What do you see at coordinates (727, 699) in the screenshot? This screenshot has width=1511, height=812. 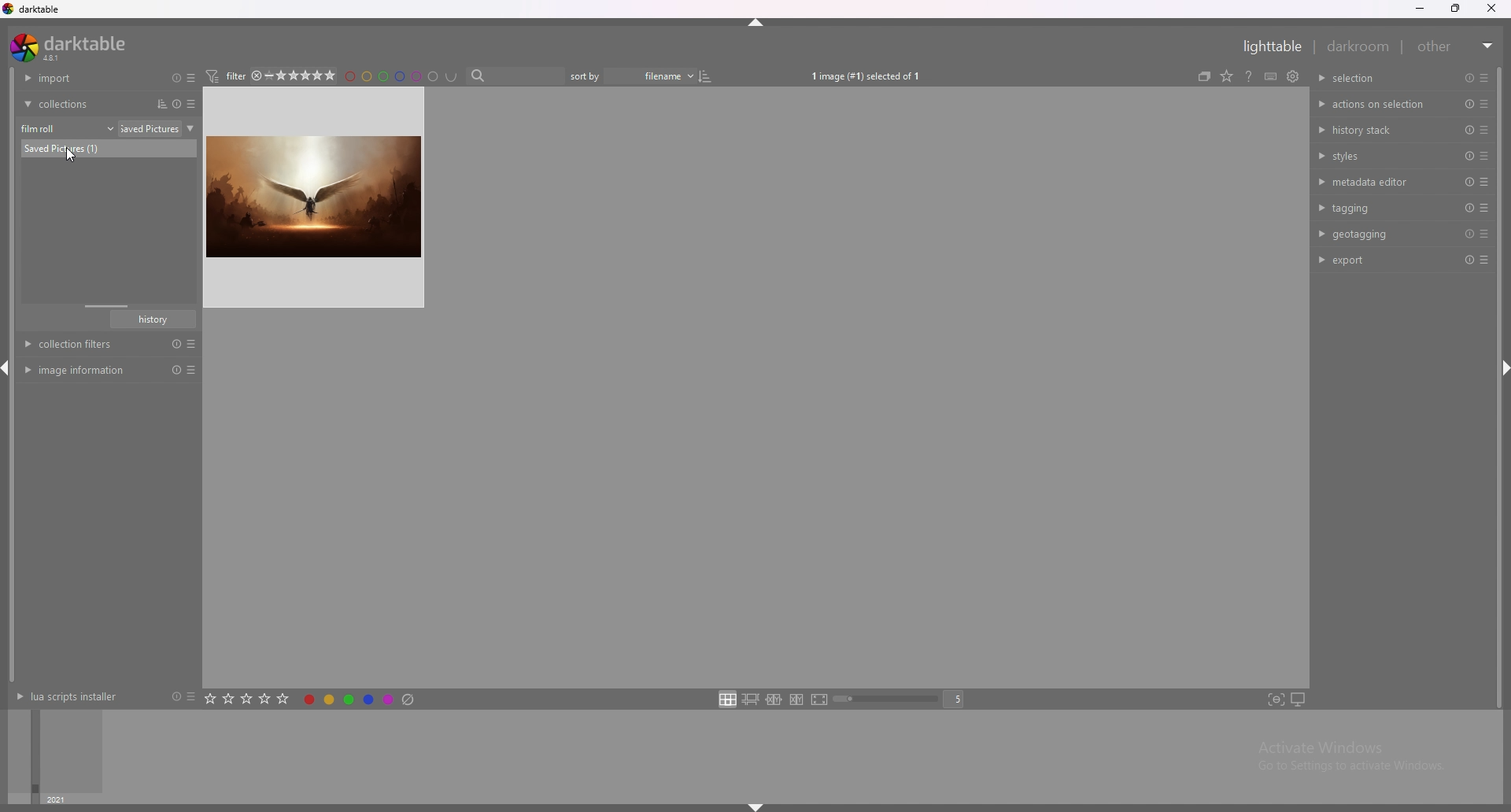 I see `filemanager layout` at bounding box center [727, 699].